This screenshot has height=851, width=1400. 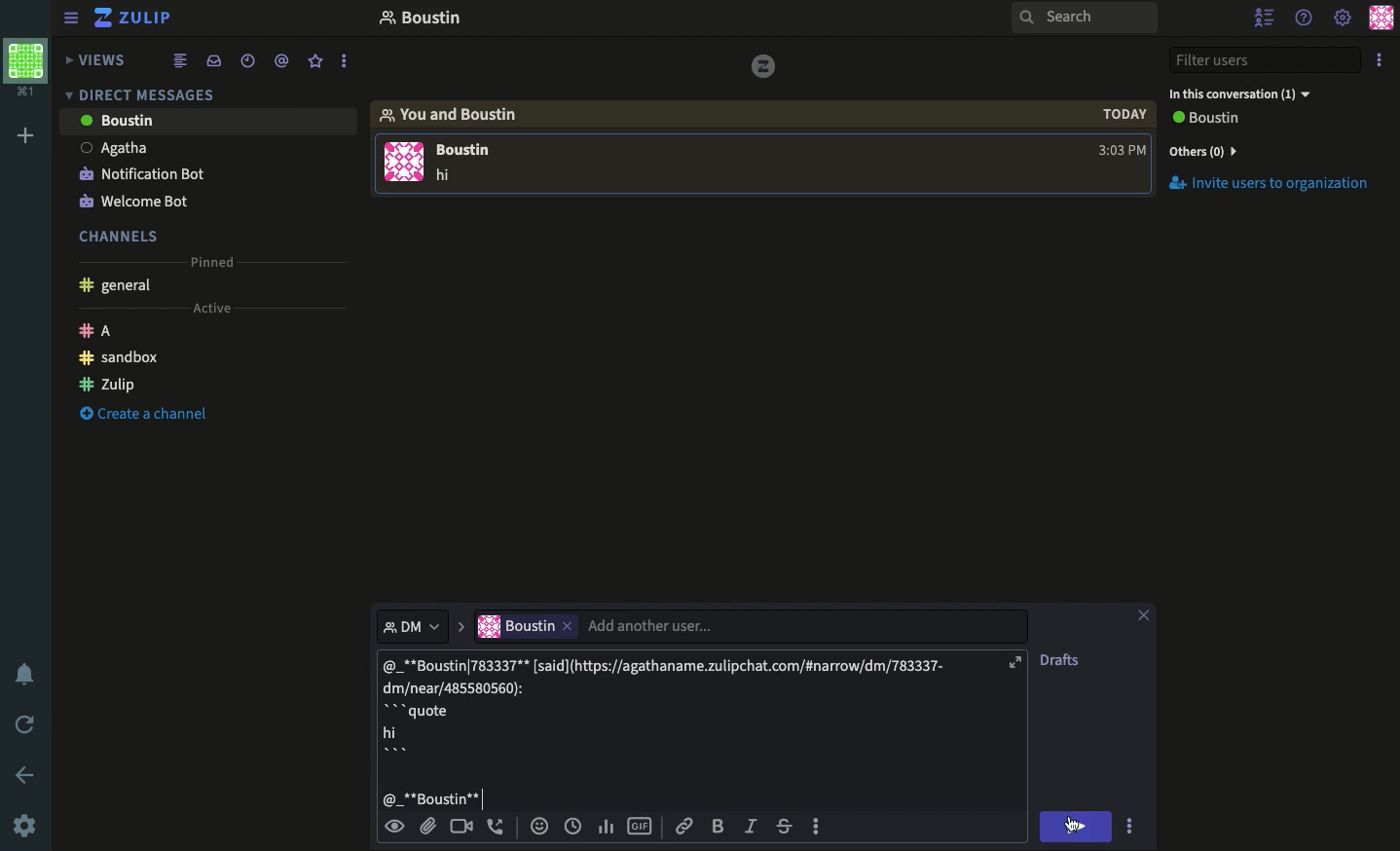 What do you see at coordinates (604, 825) in the screenshot?
I see `Chart` at bounding box center [604, 825].